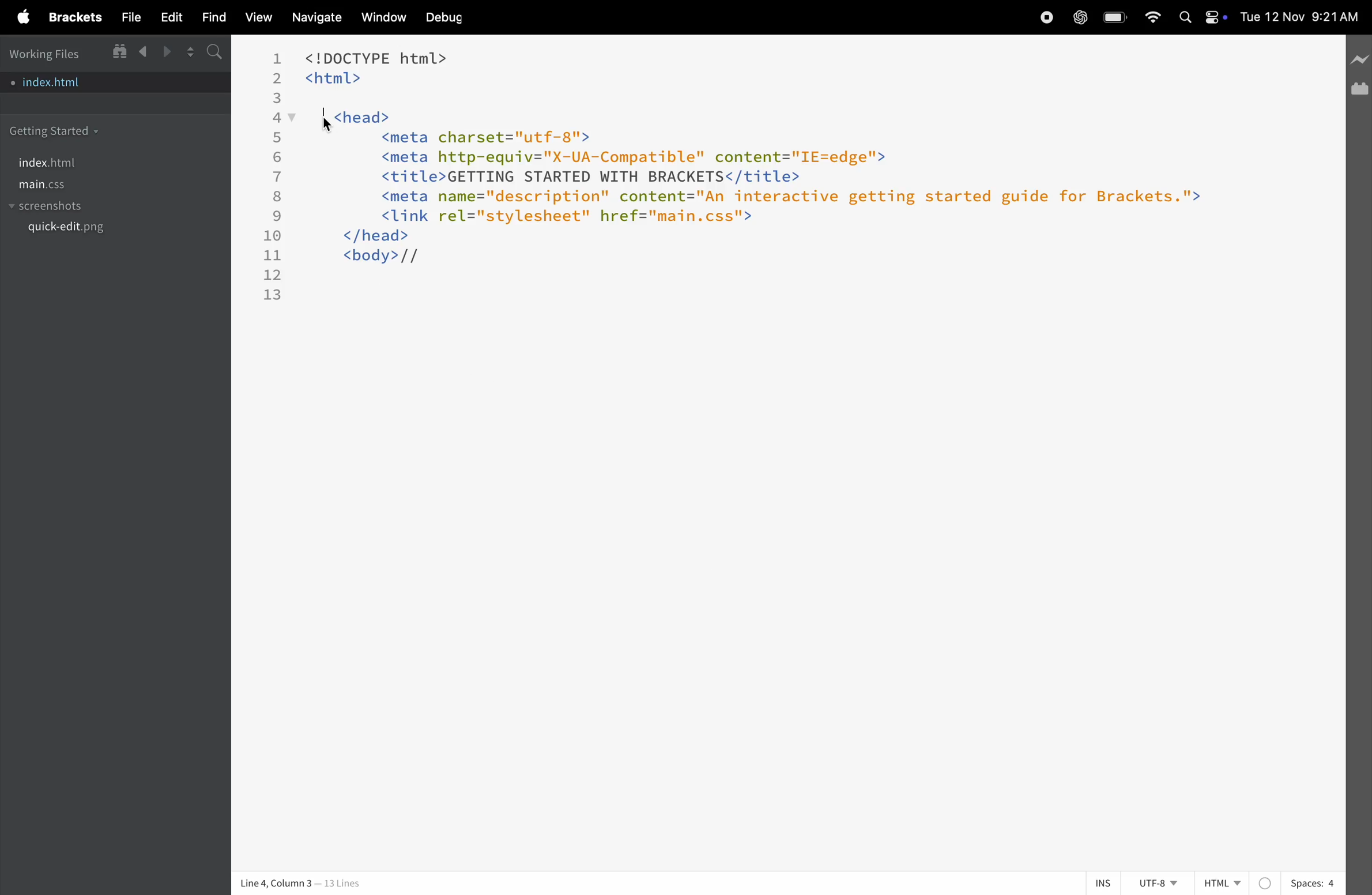 The image size is (1372, 895). Describe the element at coordinates (329, 125) in the screenshot. I see `cursor` at that location.